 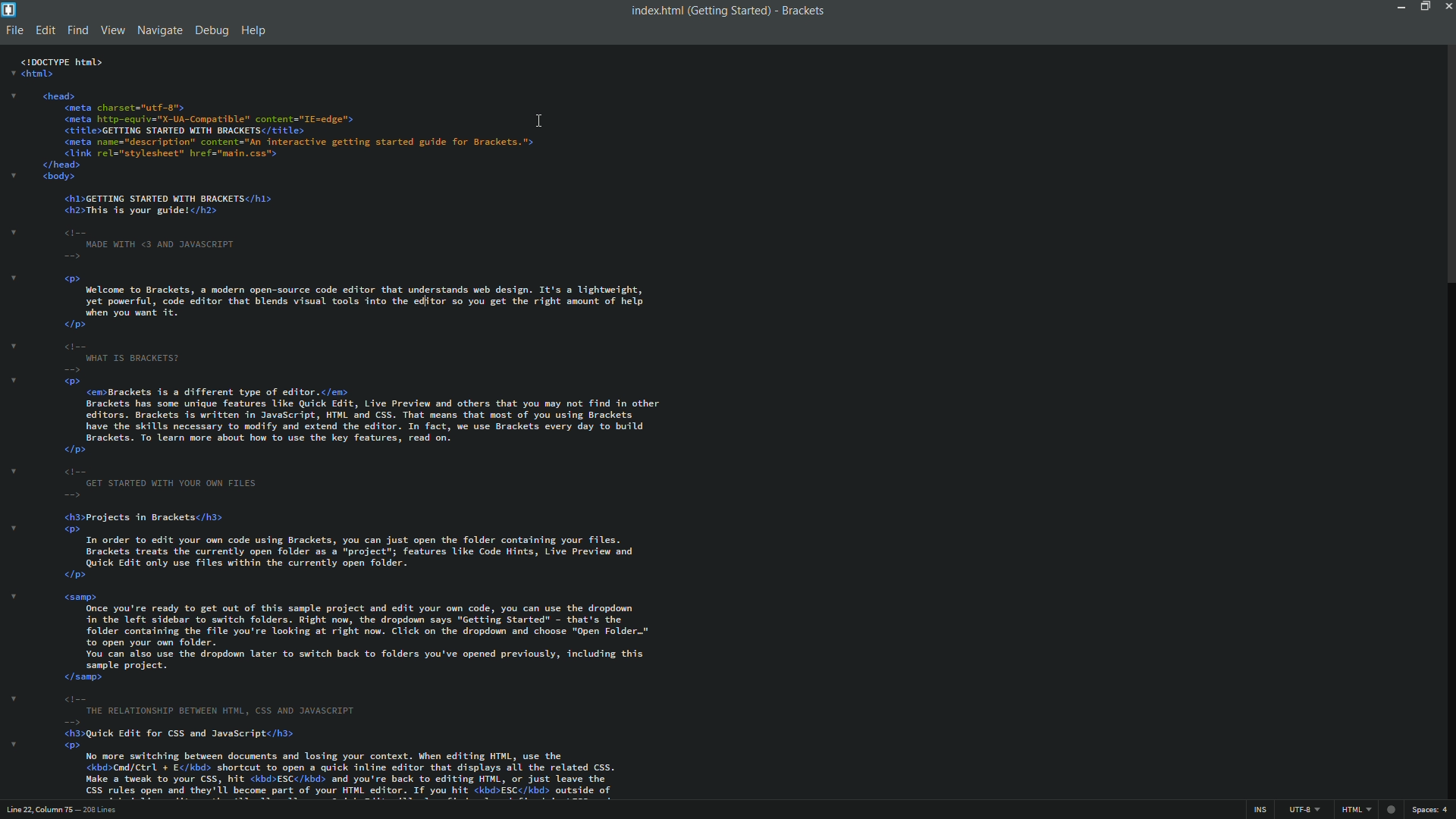 What do you see at coordinates (78, 30) in the screenshot?
I see `find` at bounding box center [78, 30].